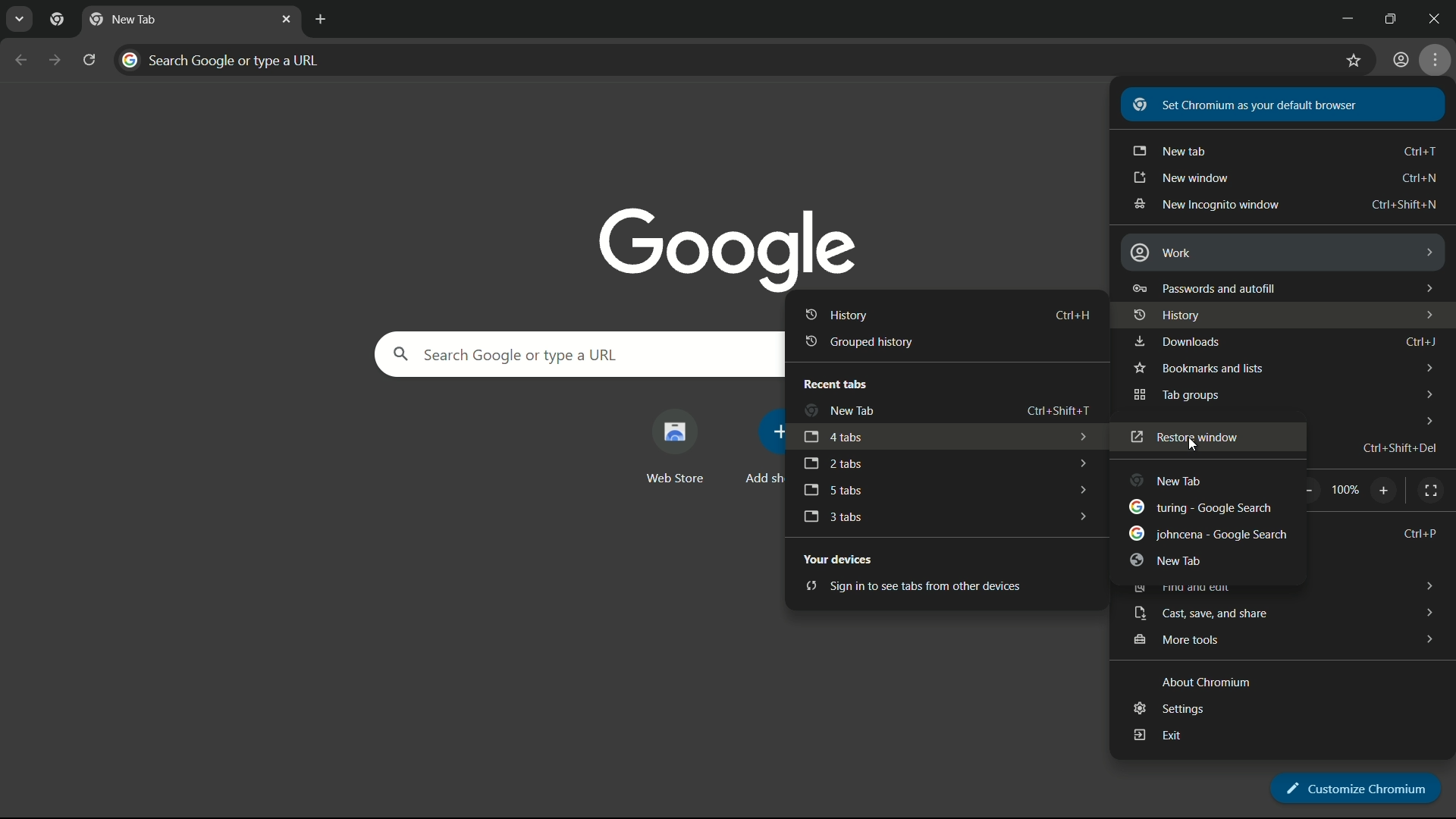 This screenshot has width=1456, height=819. I want to click on Ctrl + J, so click(1423, 342).